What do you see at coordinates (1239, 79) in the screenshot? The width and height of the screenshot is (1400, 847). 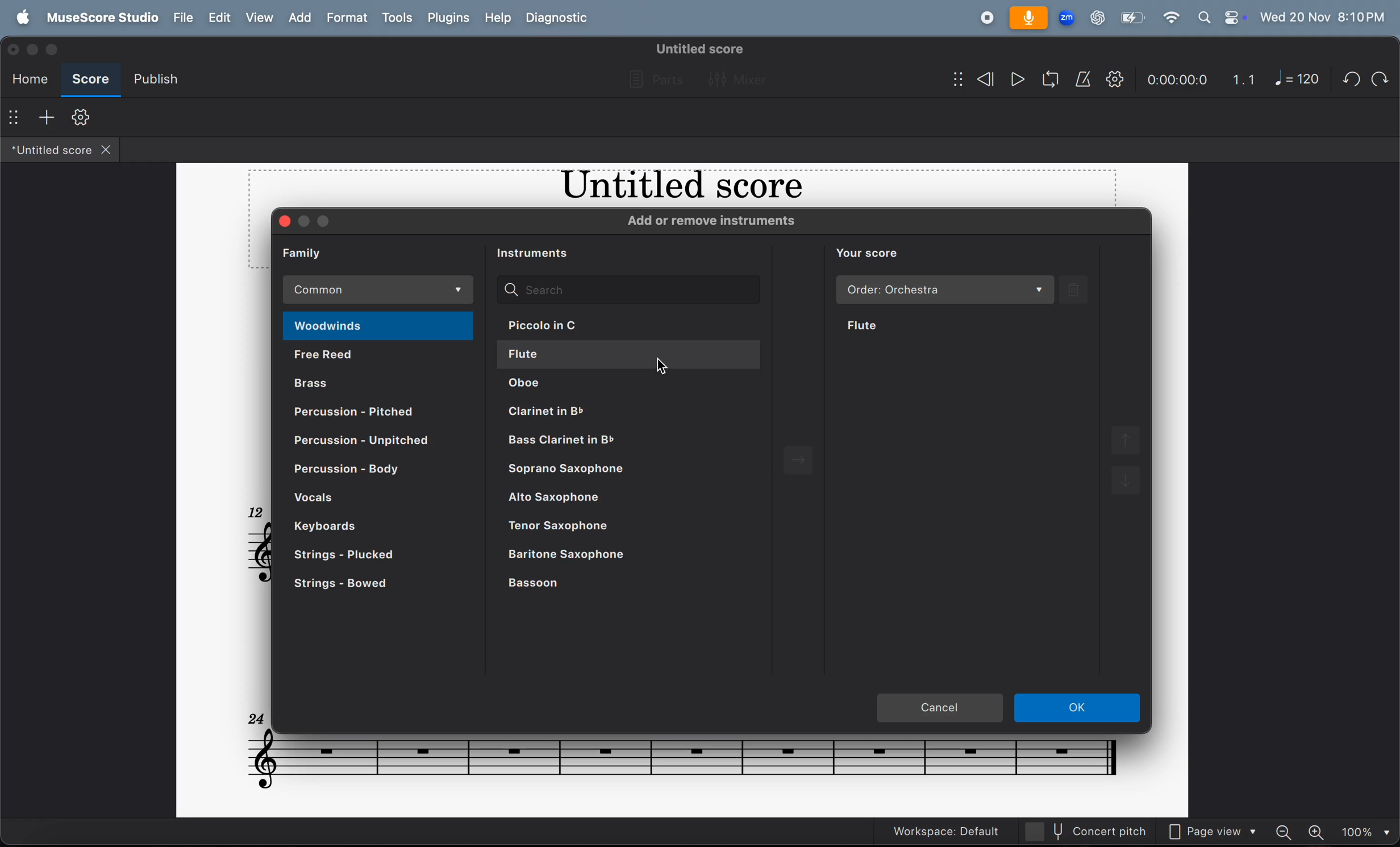 I see `1.1` at bounding box center [1239, 79].